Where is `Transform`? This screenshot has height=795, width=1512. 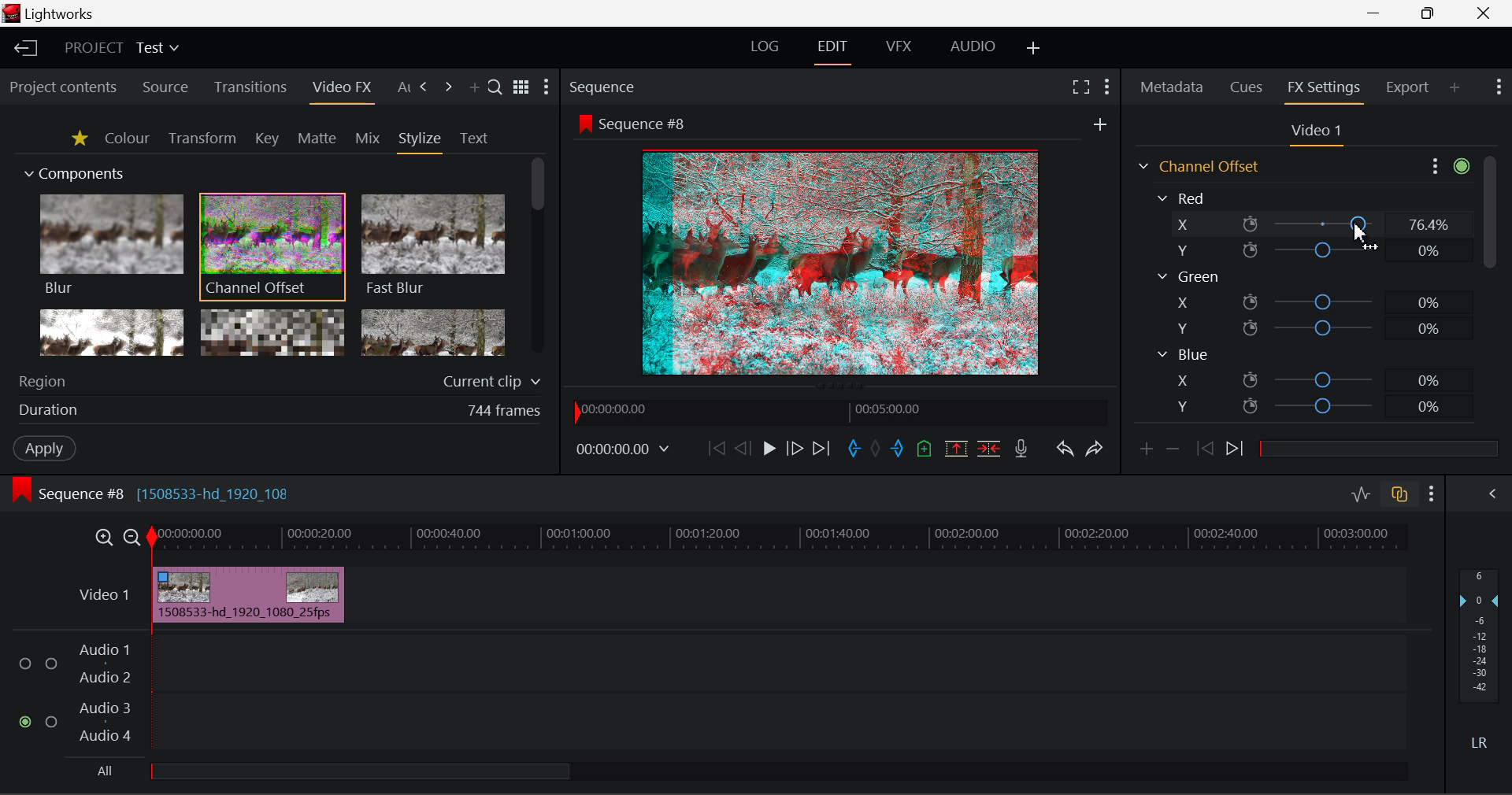
Transform is located at coordinates (202, 139).